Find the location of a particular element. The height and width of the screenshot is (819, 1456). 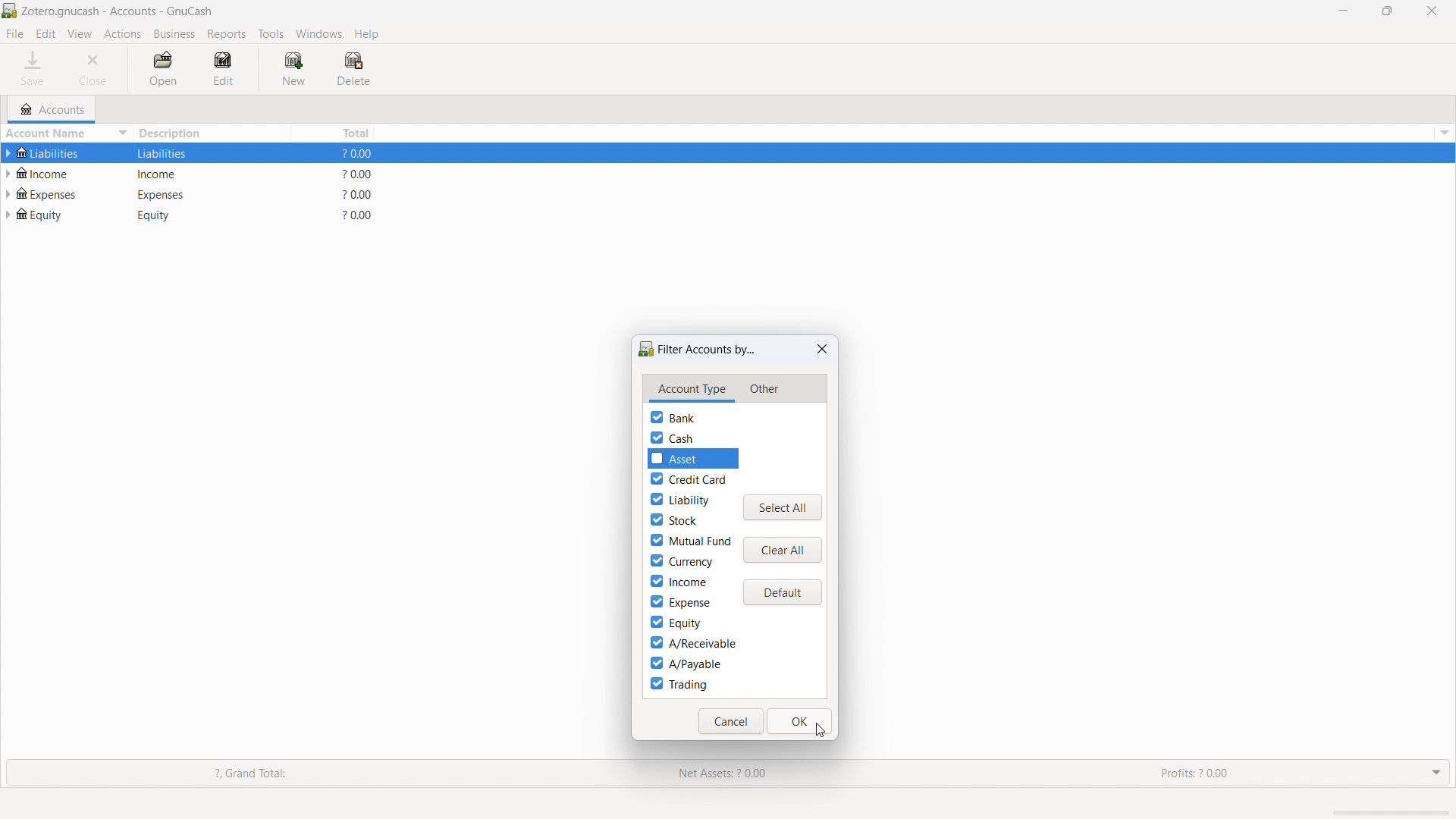

other is located at coordinates (763, 390).